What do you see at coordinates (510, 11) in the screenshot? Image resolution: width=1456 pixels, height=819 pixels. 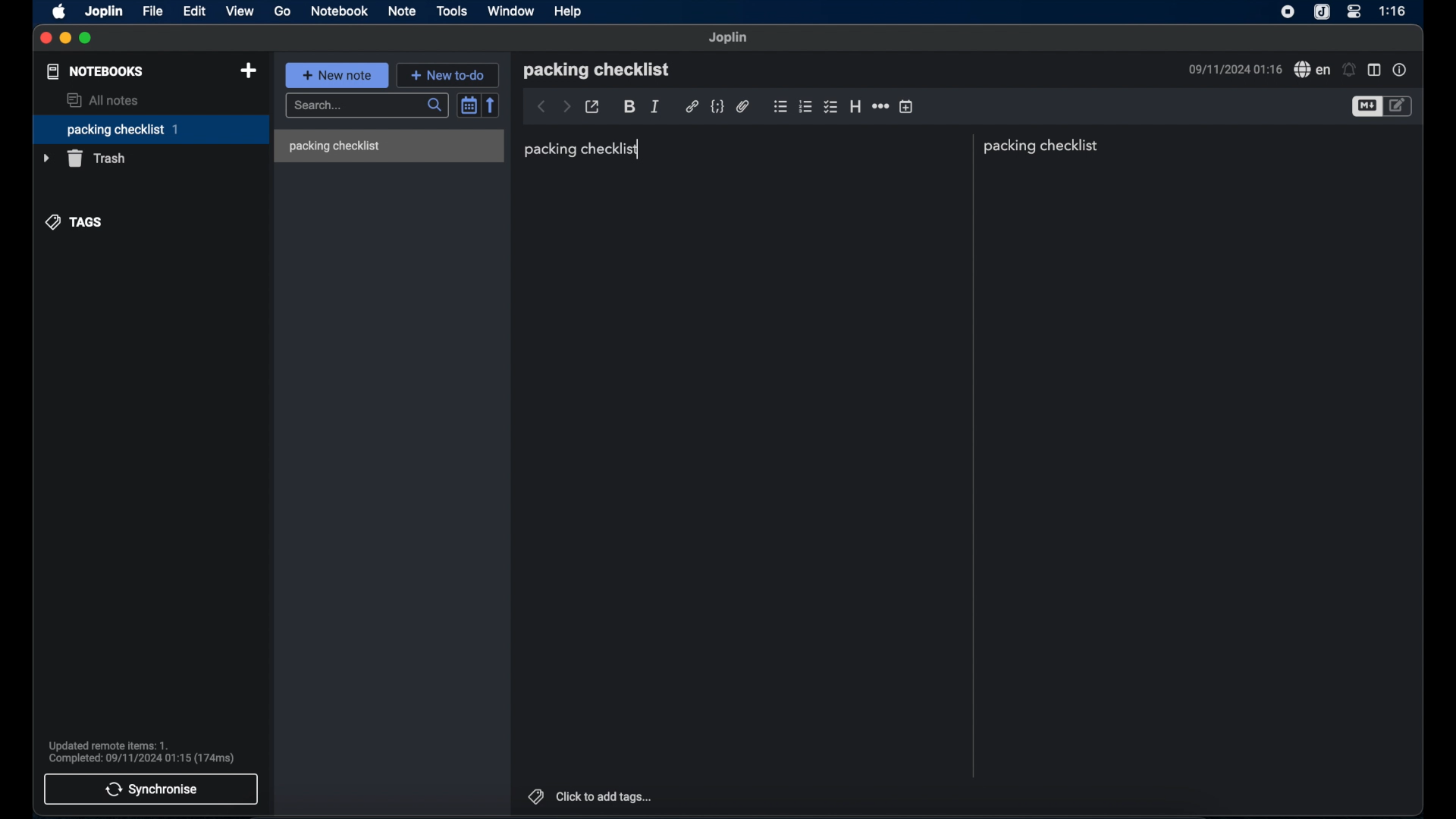 I see `window` at bounding box center [510, 11].